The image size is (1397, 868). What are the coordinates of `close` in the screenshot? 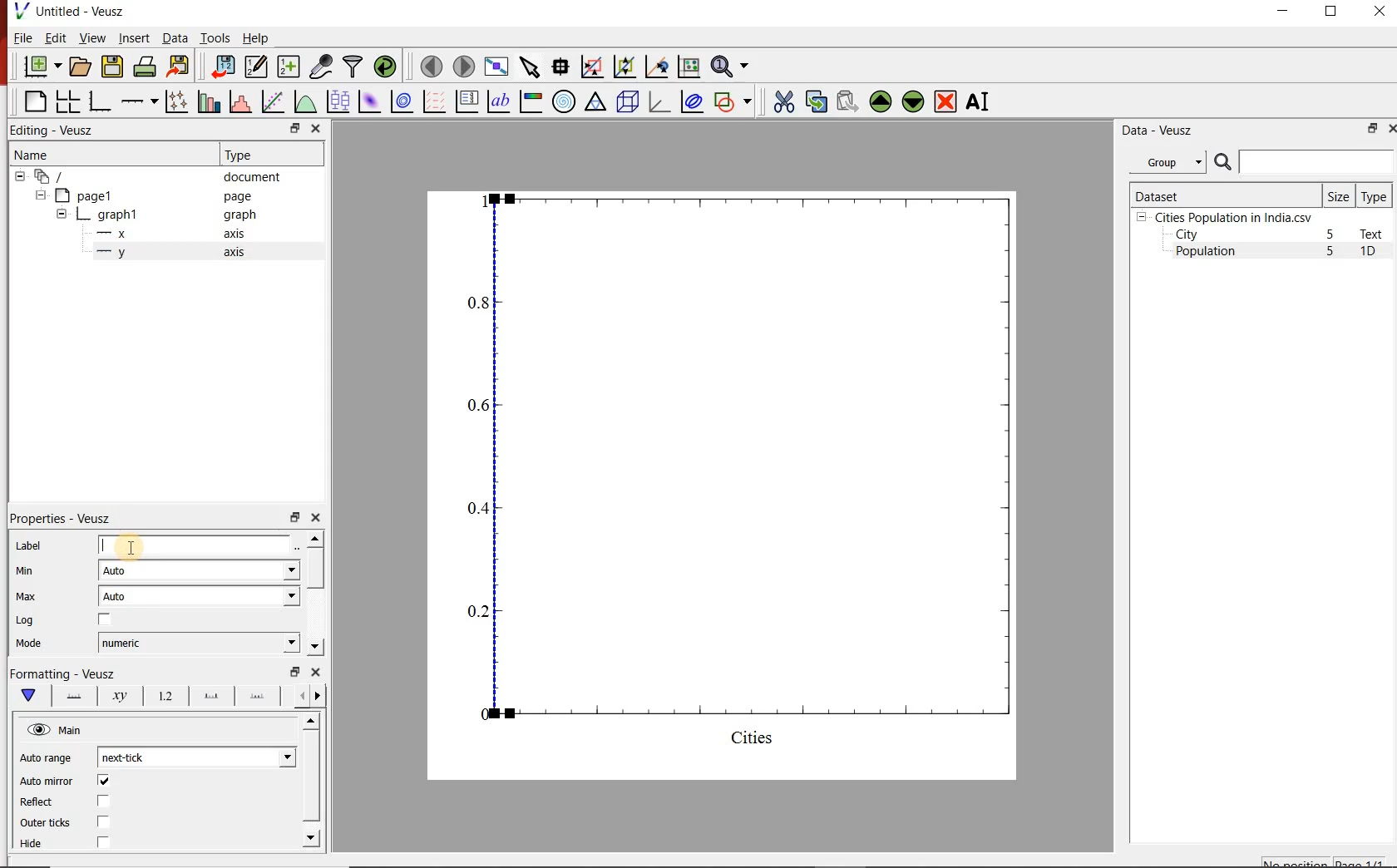 It's located at (315, 518).